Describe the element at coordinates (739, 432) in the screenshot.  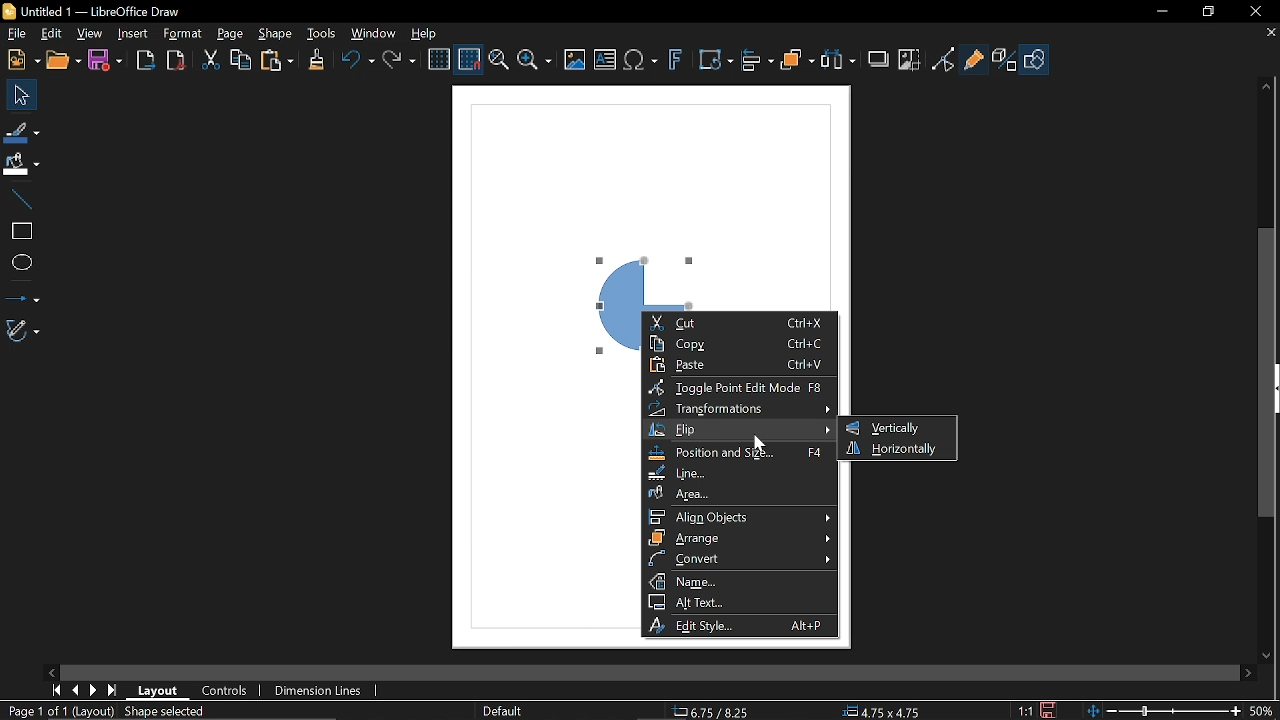
I see `Flip` at that location.